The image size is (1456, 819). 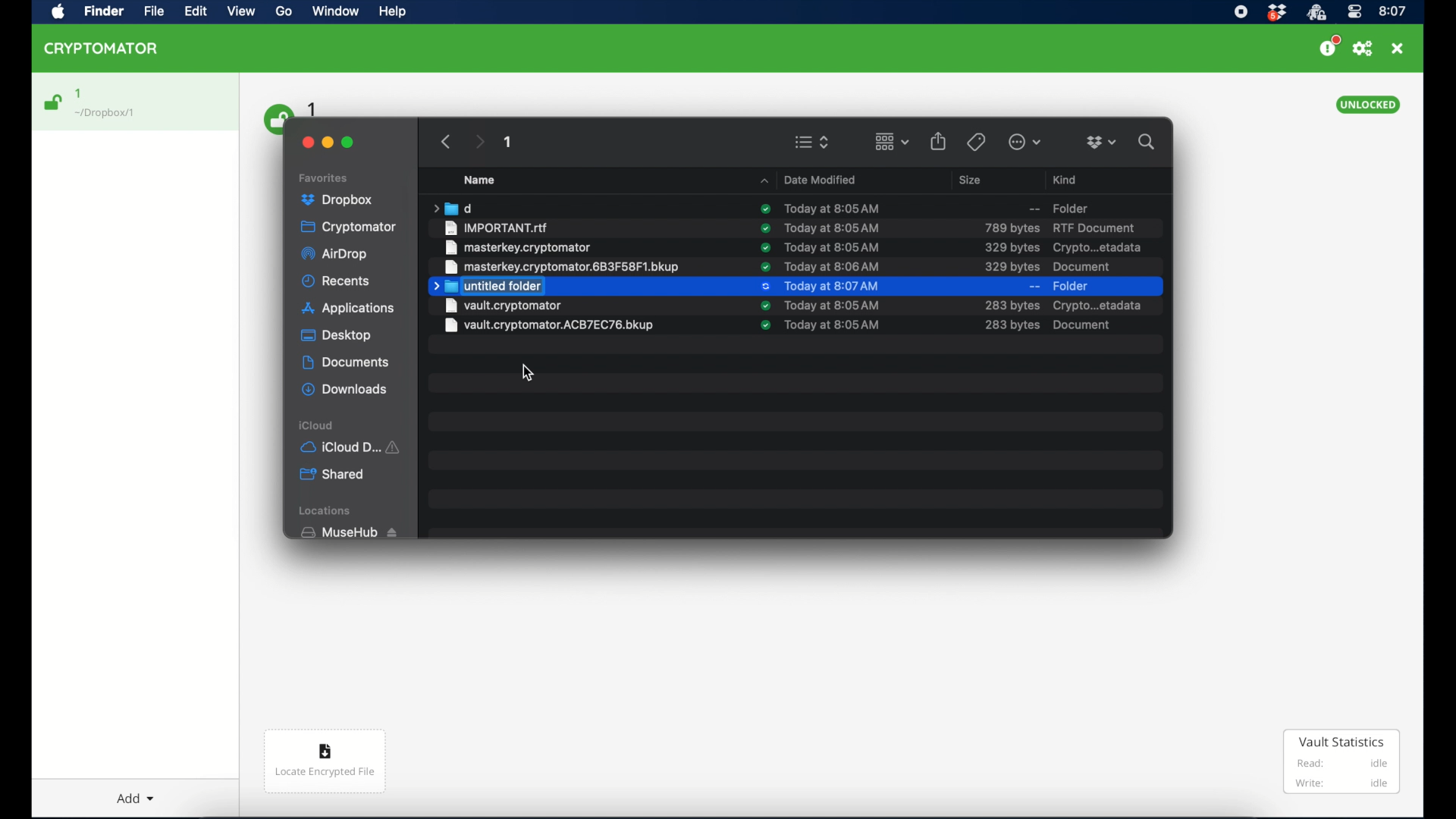 I want to click on dropbox icon, so click(x=1276, y=13).